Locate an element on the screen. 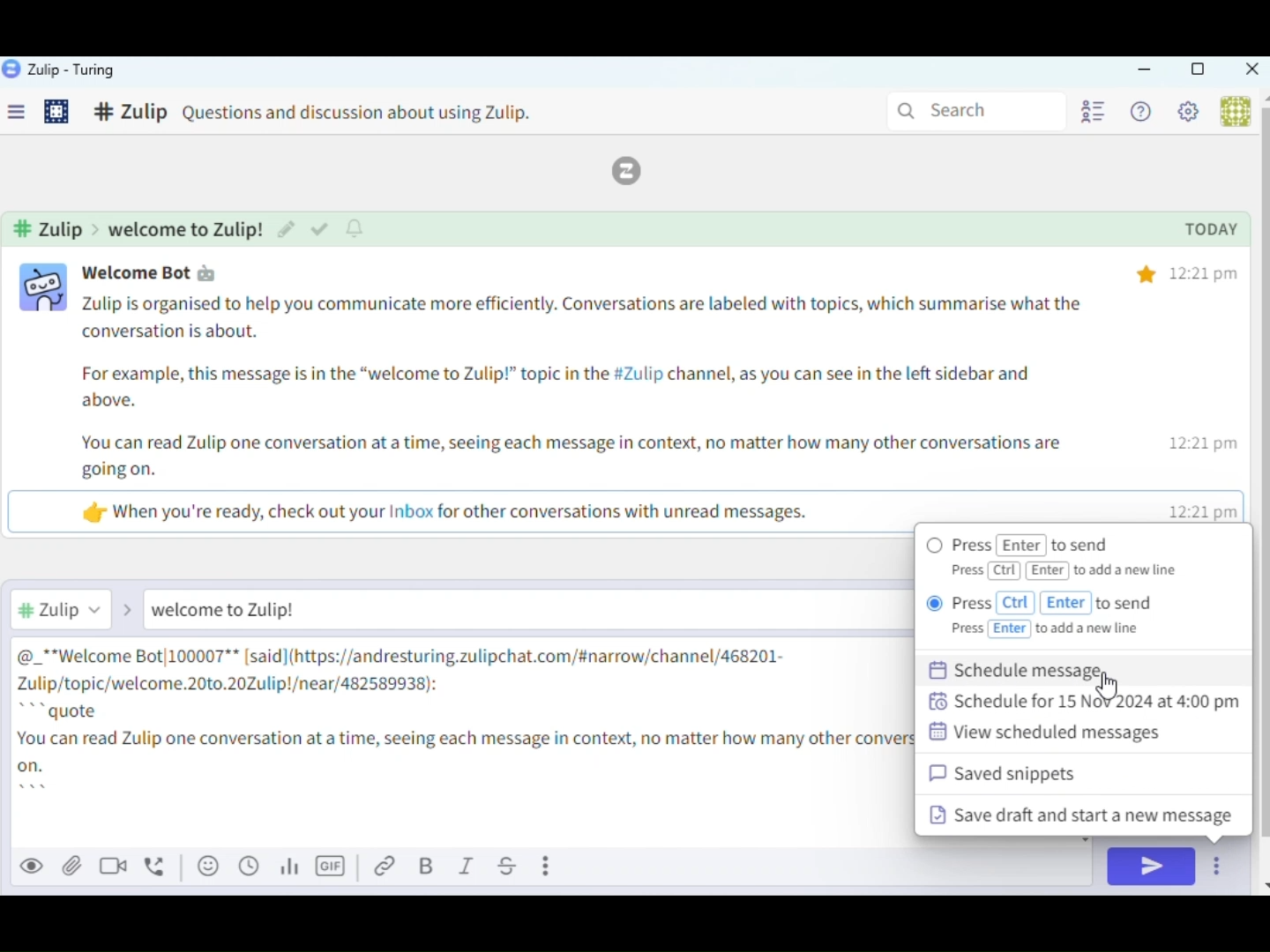  time is located at coordinates (1206, 393).